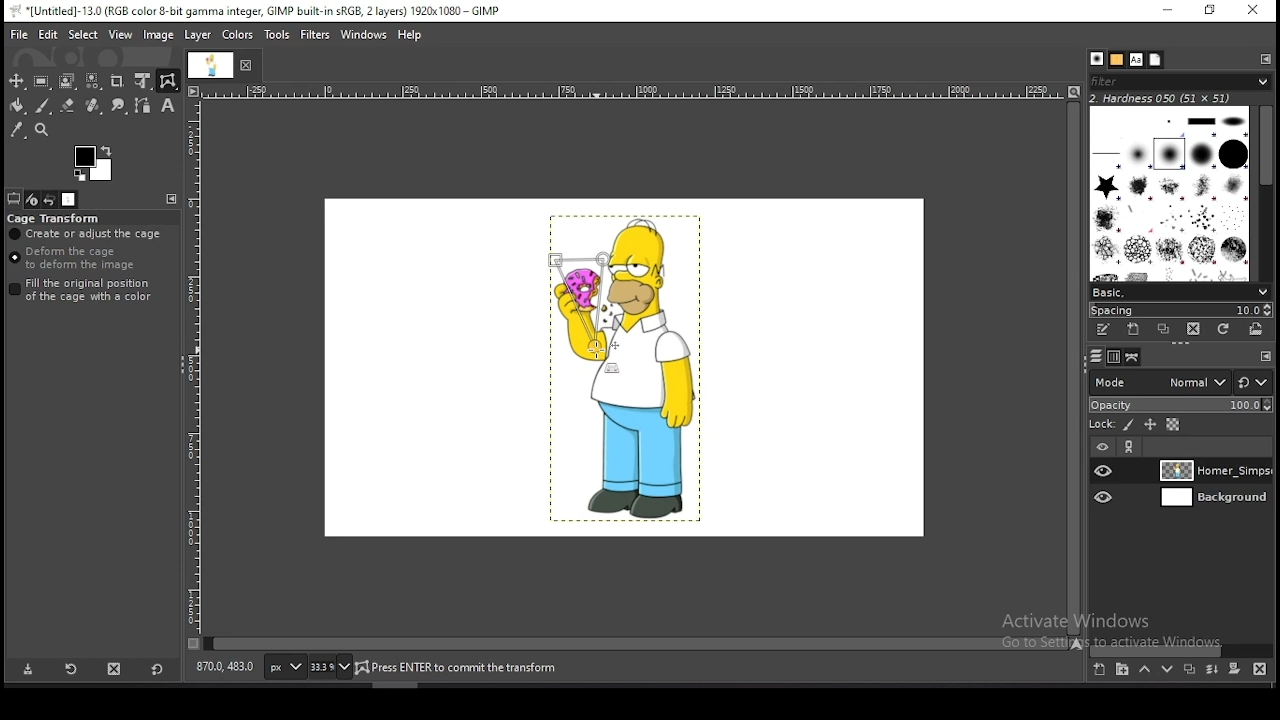  Describe the element at coordinates (1189, 672) in the screenshot. I see `duplicate layer` at that location.